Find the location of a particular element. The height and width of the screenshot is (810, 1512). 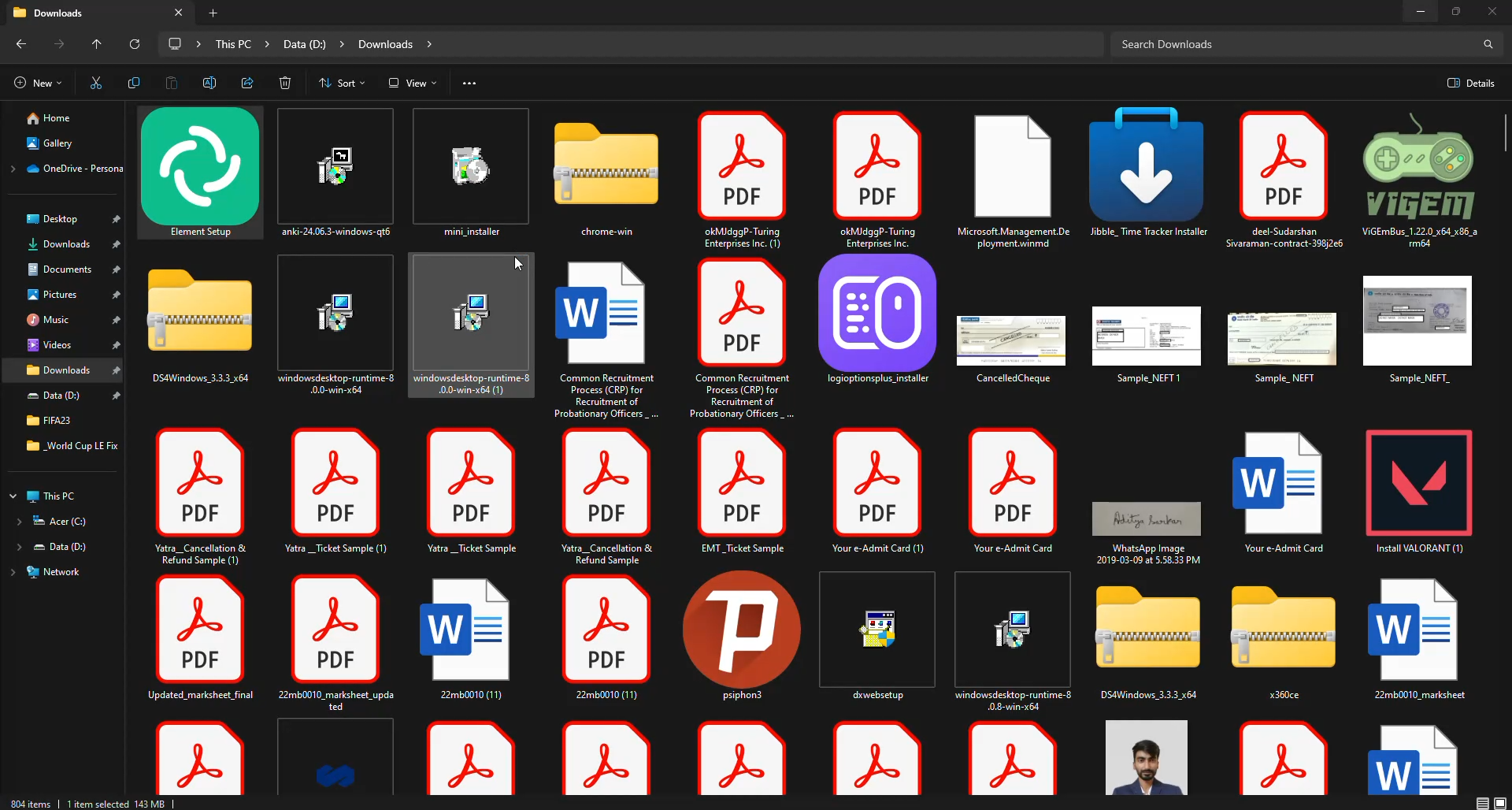

paste is located at coordinates (171, 84).